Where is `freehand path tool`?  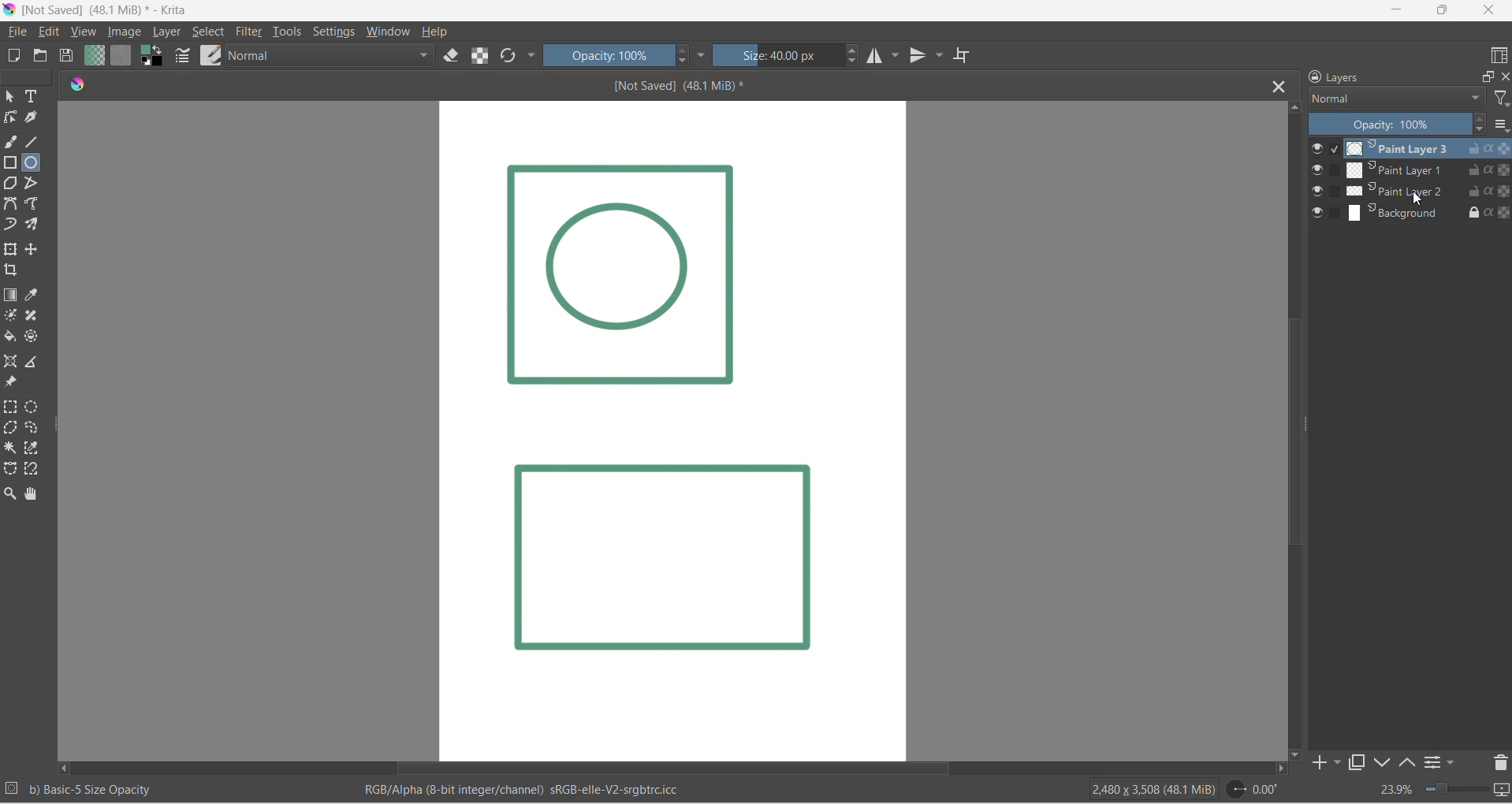 freehand path tool is located at coordinates (37, 204).